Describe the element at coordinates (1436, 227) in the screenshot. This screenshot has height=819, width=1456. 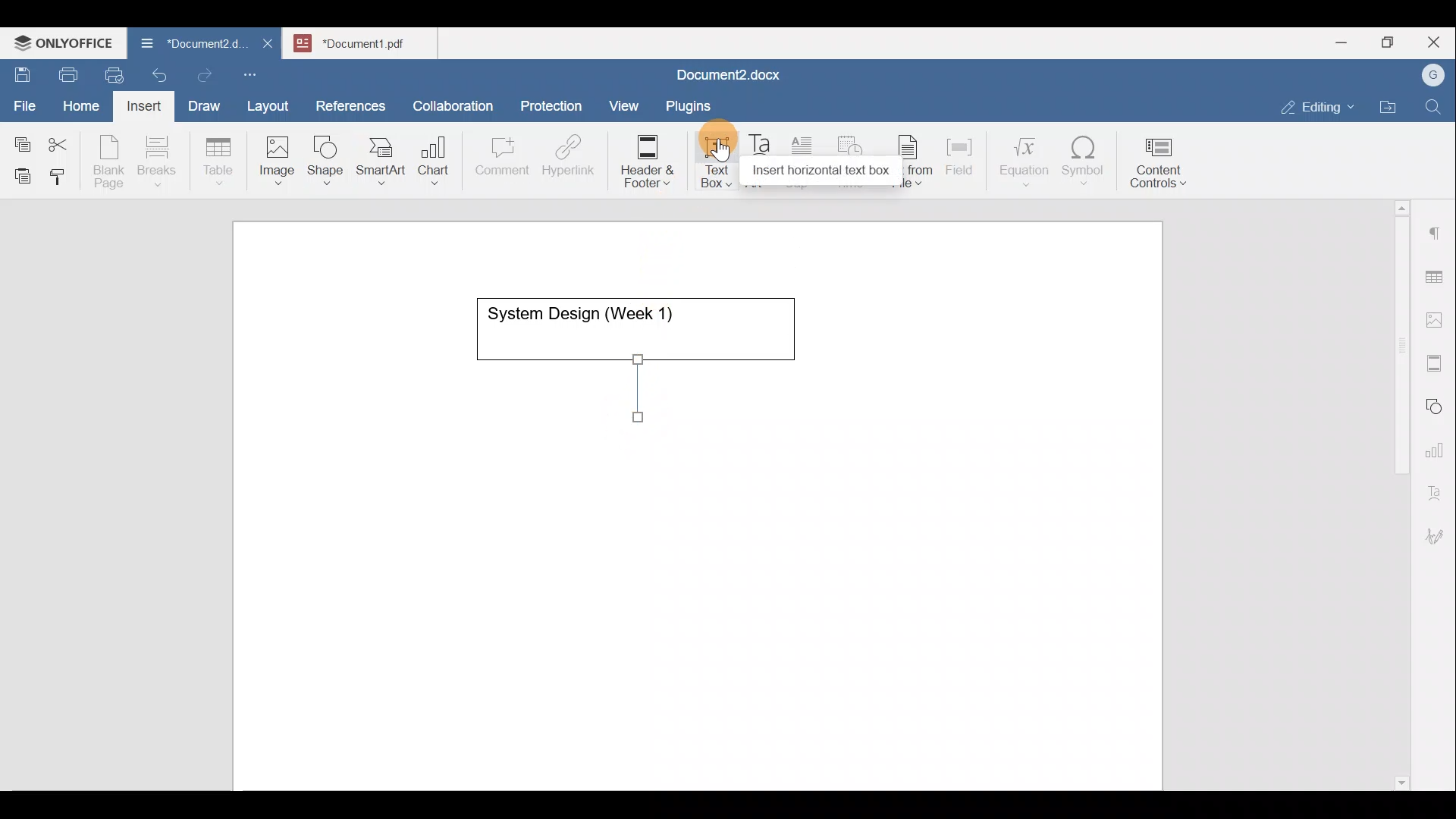
I see `Paragraph settings` at that location.